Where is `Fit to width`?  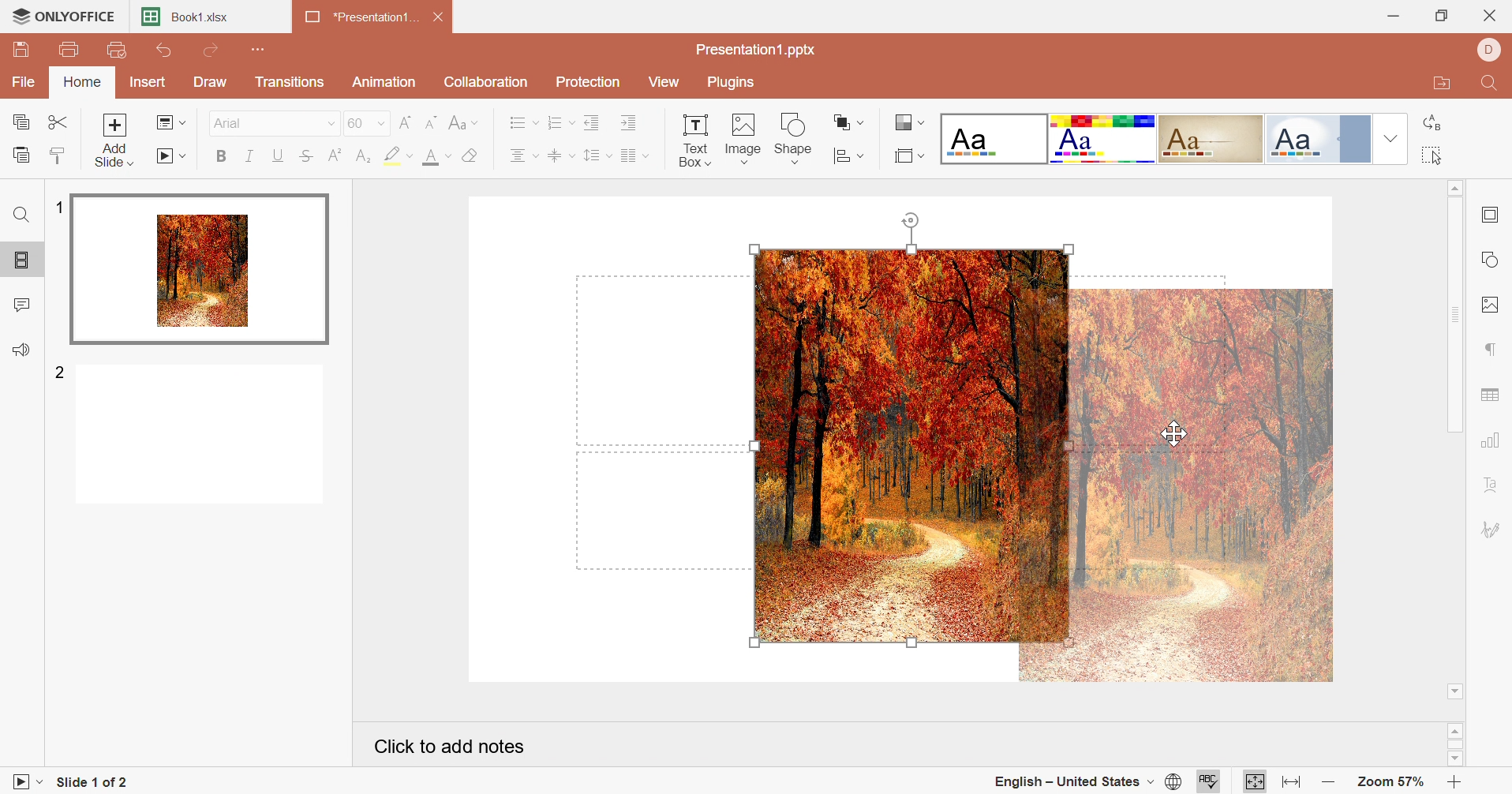 Fit to width is located at coordinates (1291, 782).